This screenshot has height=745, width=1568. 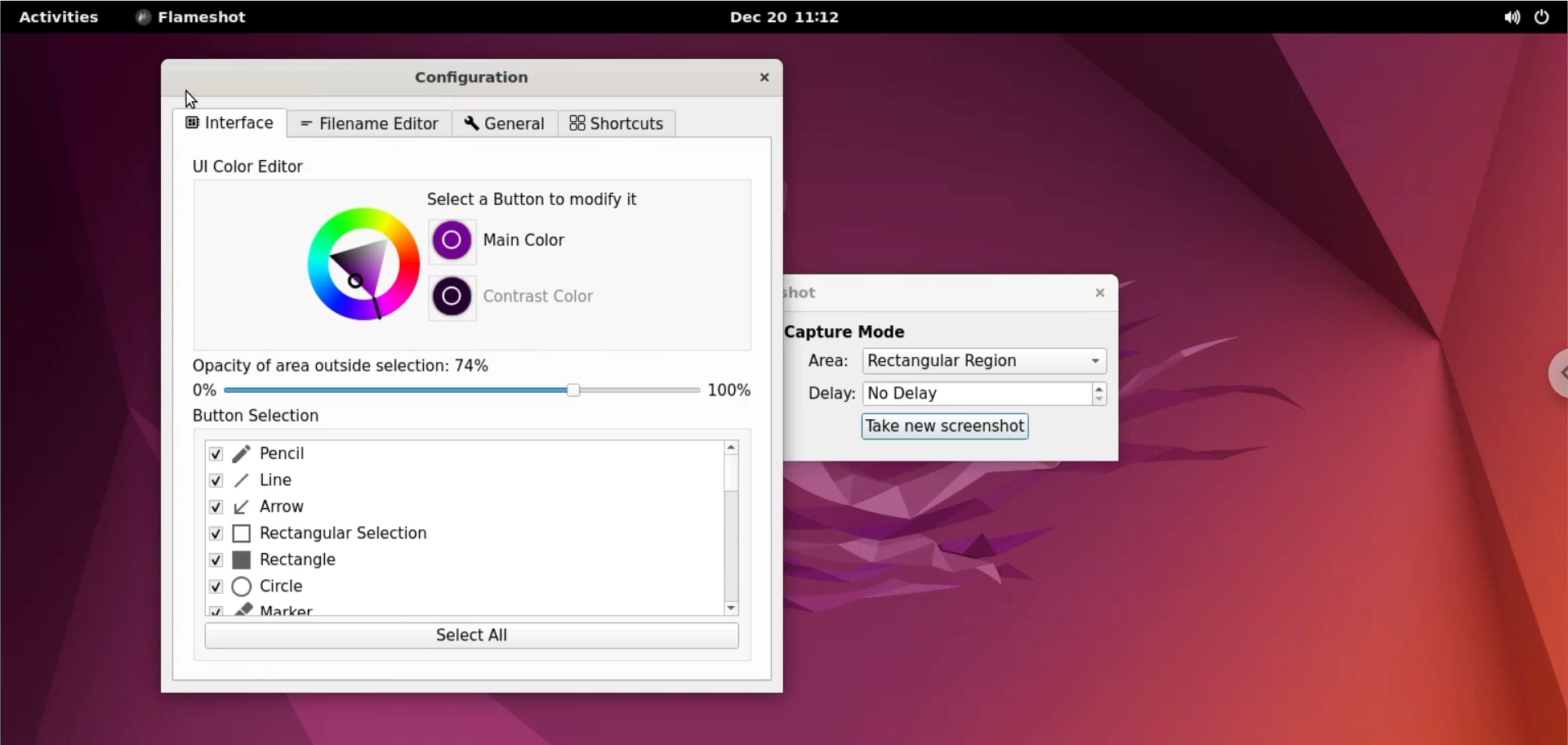 What do you see at coordinates (460, 391) in the screenshot?
I see `opacity percentage slider` at bounding box center [460, 391].